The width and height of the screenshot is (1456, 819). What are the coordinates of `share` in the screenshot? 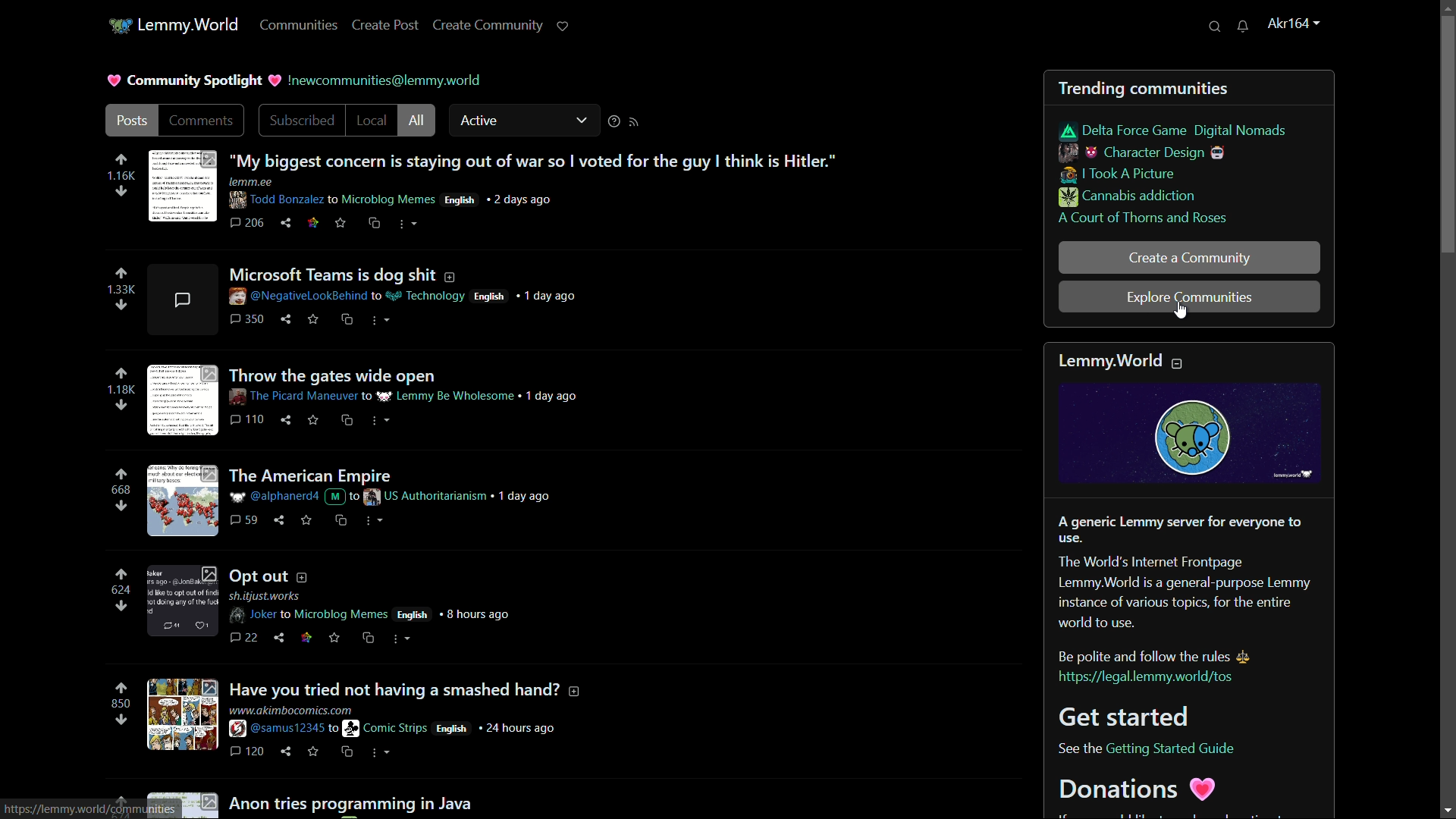 It's located at (286, 318).